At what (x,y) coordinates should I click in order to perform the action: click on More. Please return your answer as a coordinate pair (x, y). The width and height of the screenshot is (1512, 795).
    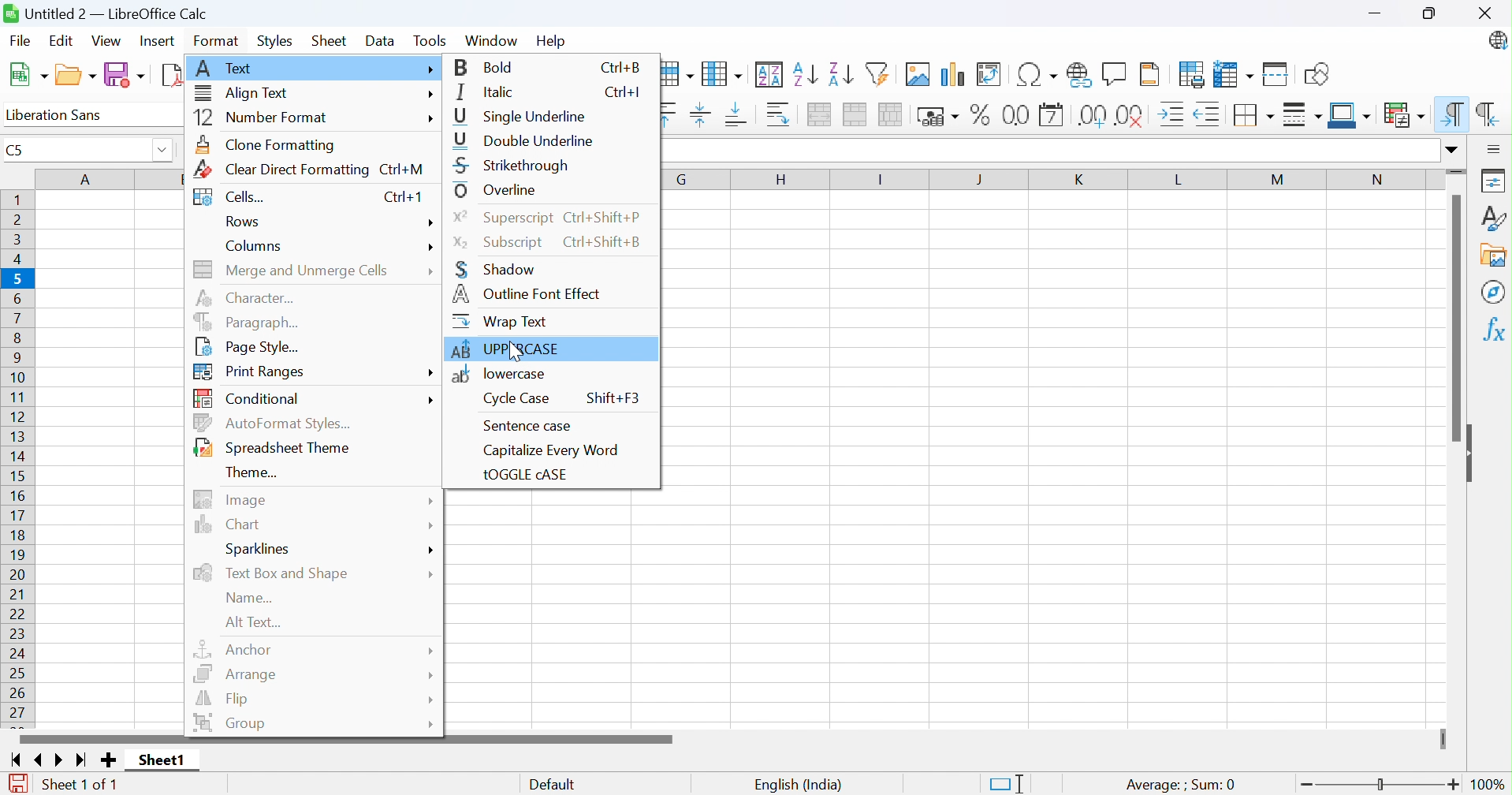
    Looking at the image, I should click on (431, 398).